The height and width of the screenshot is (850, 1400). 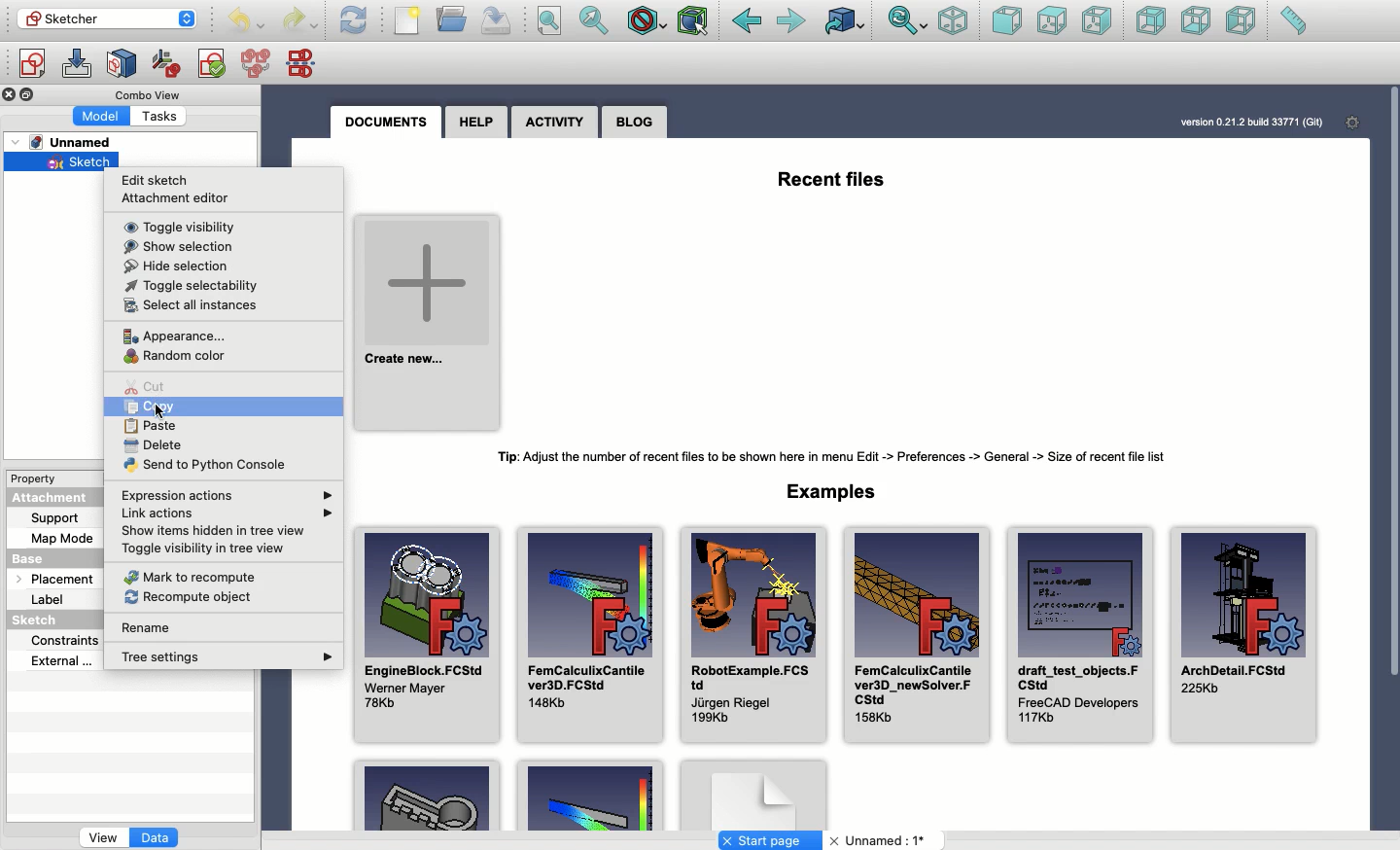 What do you see at coordinates (103, 839) in the screenshot?
I see `View` at bounding box center [103, 839].